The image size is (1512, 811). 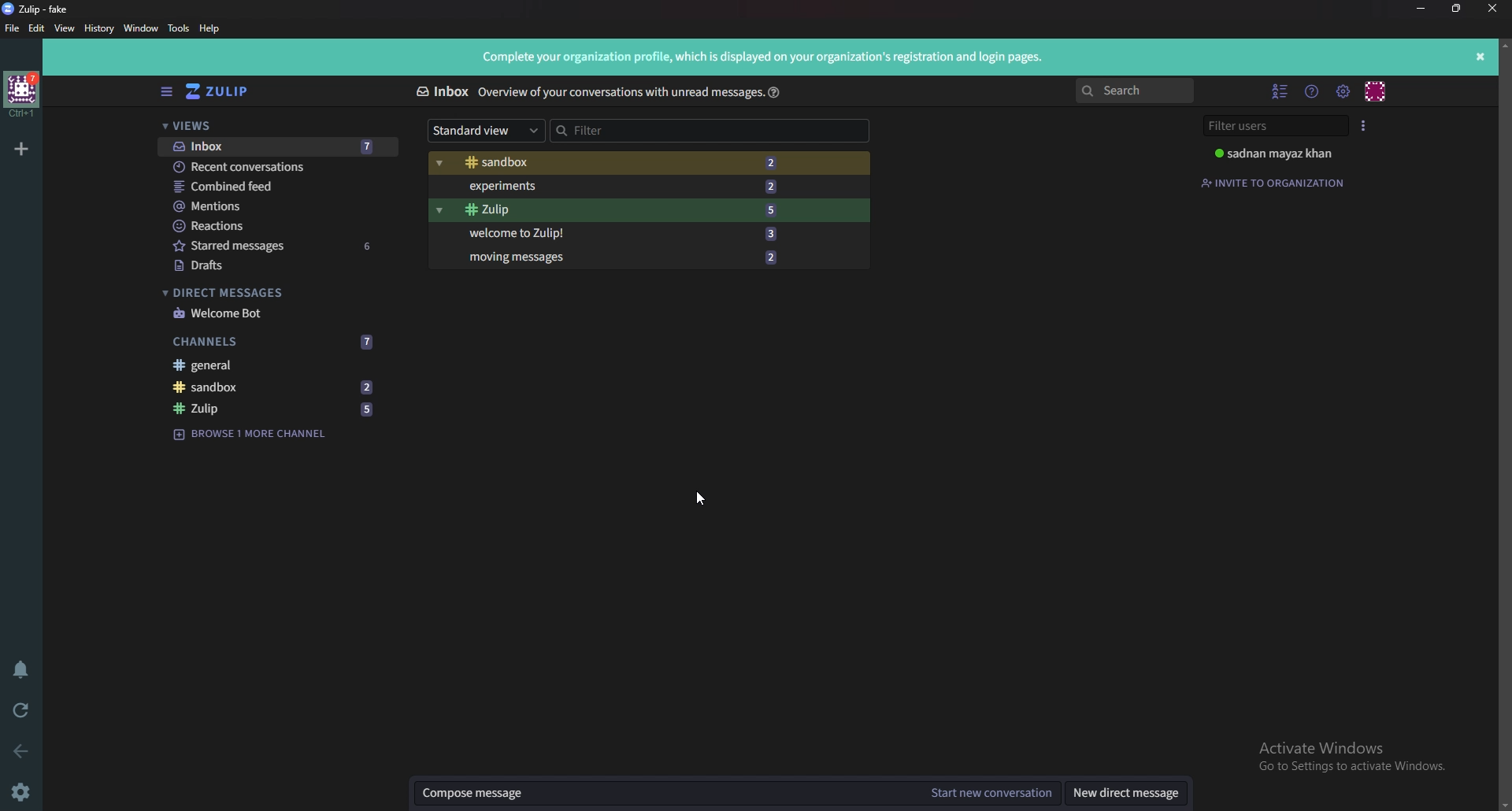 What do you see at coordinates (1273, 185) in the screenshot?
I see `Invite to organization` at bounding box center [1273, 185].